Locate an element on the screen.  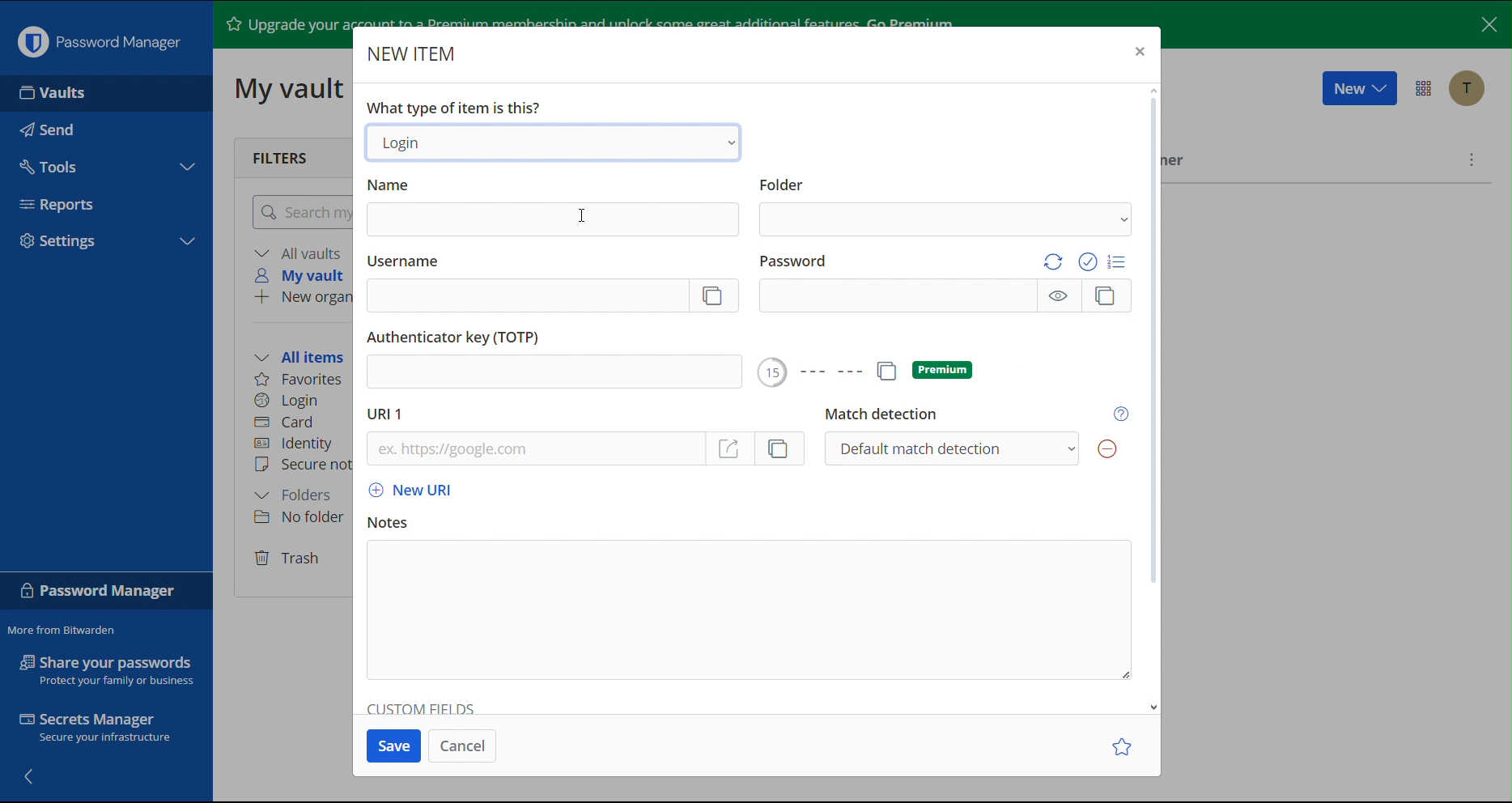
Star is located at coordinates (1123, 745).